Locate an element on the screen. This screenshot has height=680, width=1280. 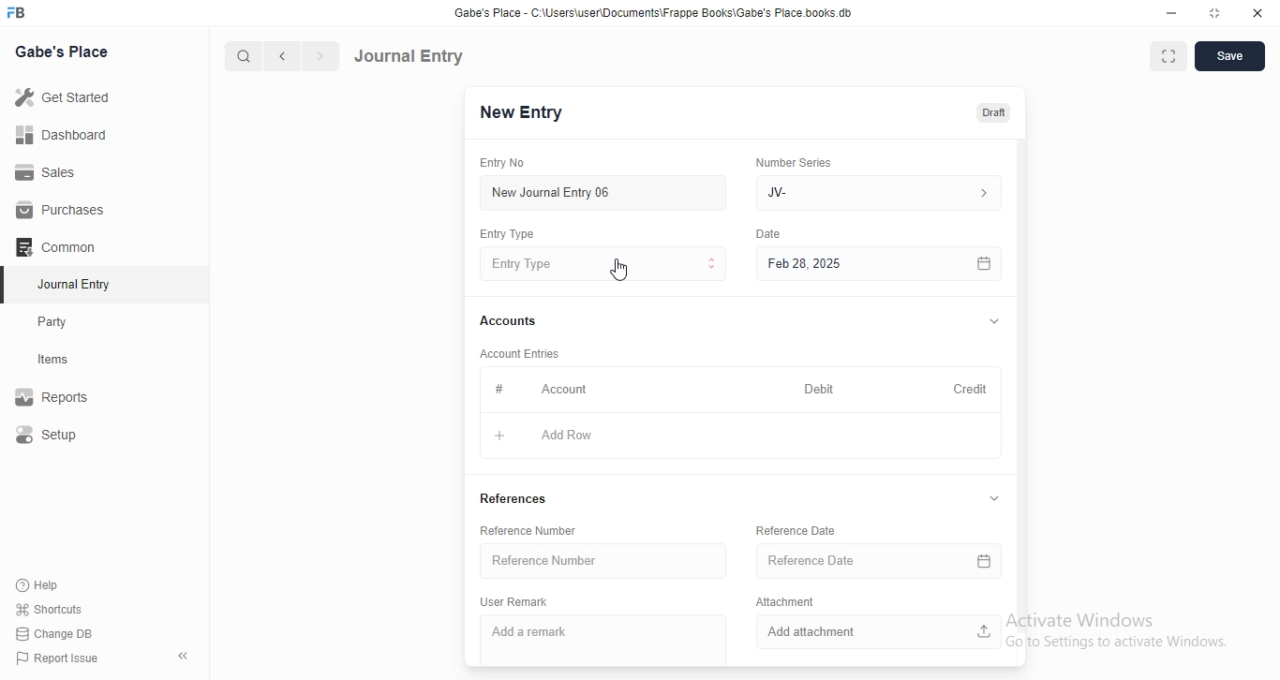
Add Row is located at coordinates (547, 435).